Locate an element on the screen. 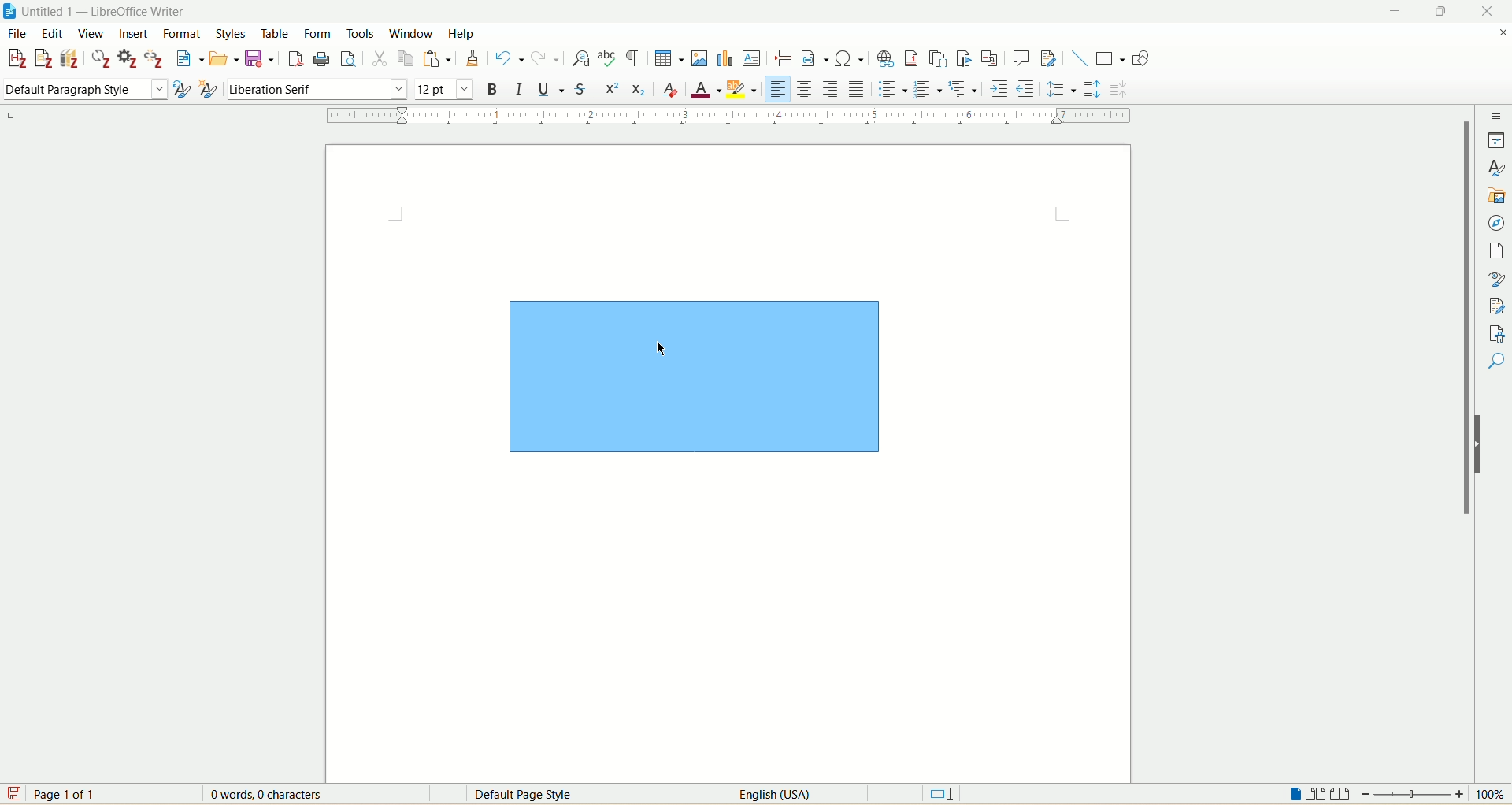  standard selection is located at coordinates (943, 795).